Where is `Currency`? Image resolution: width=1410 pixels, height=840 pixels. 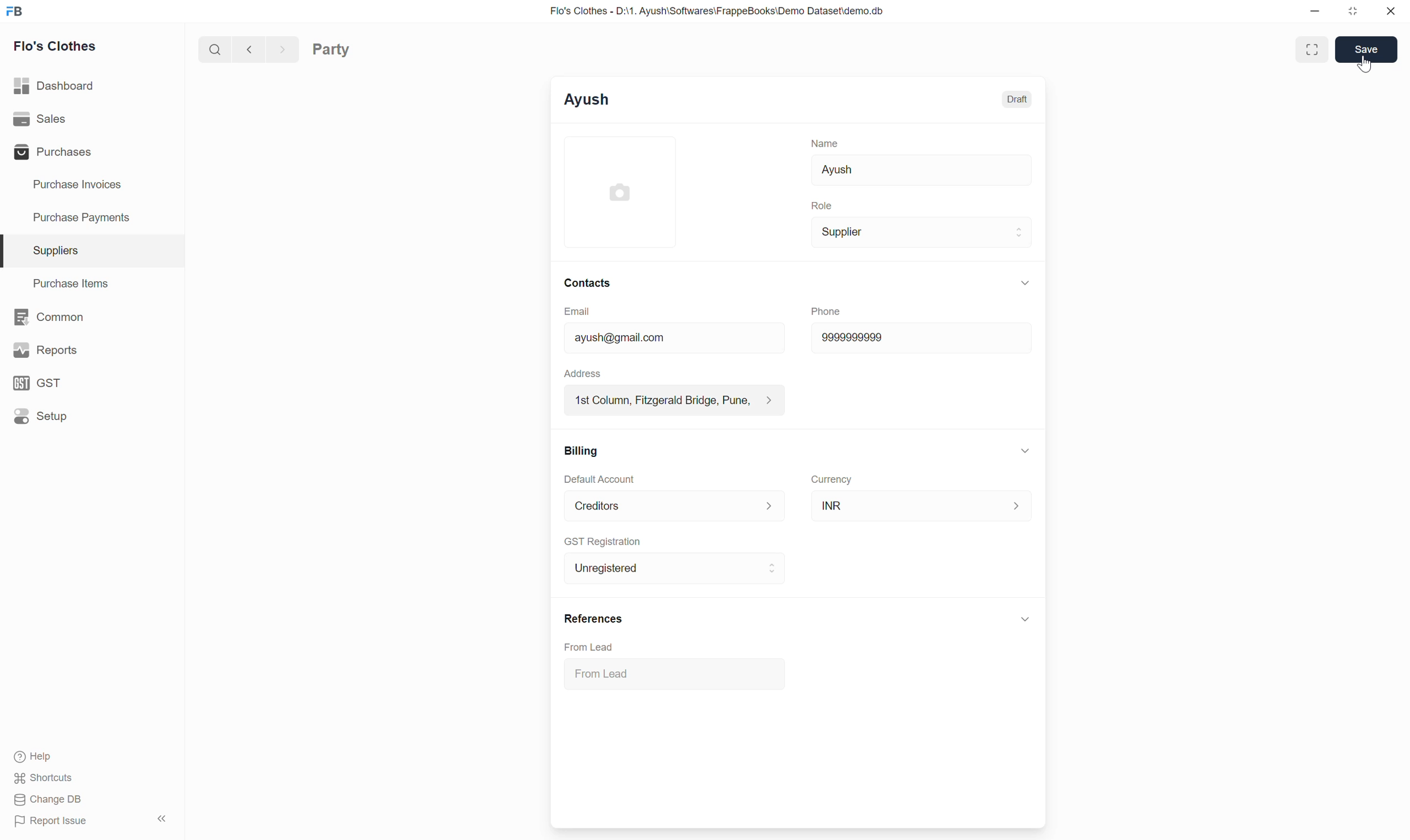 Currency is located at coordinates (832, 480).